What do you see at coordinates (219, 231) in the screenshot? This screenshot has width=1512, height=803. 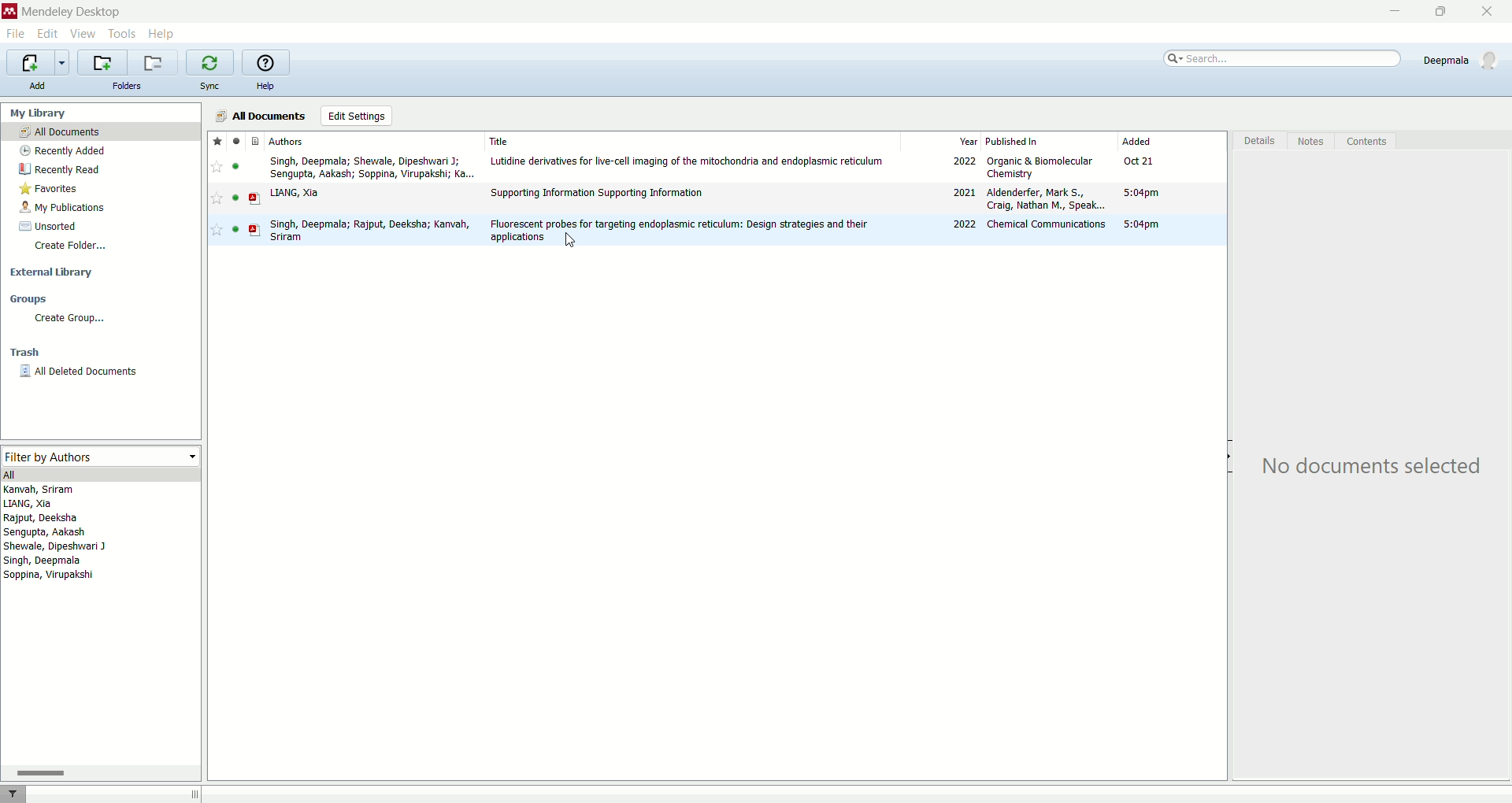 I see `favorite` at bounding box center [219, 231].